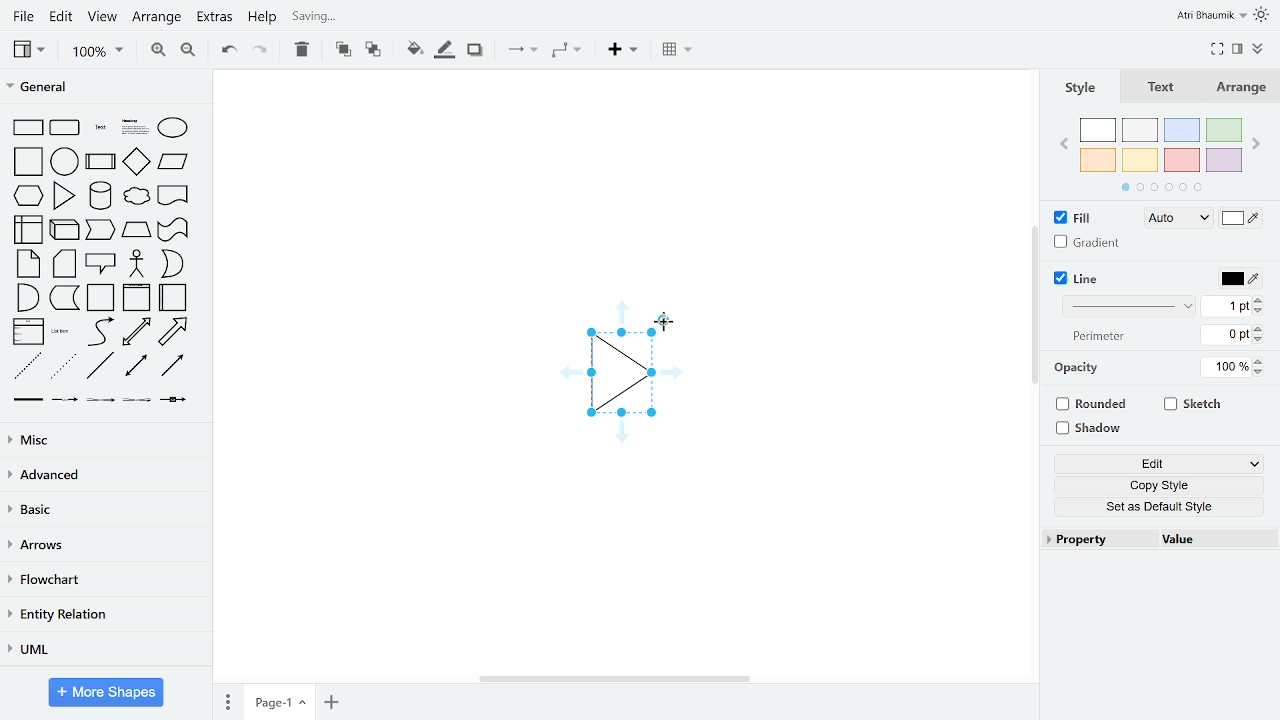  I want to click on trapezoid, so click(136, 232).